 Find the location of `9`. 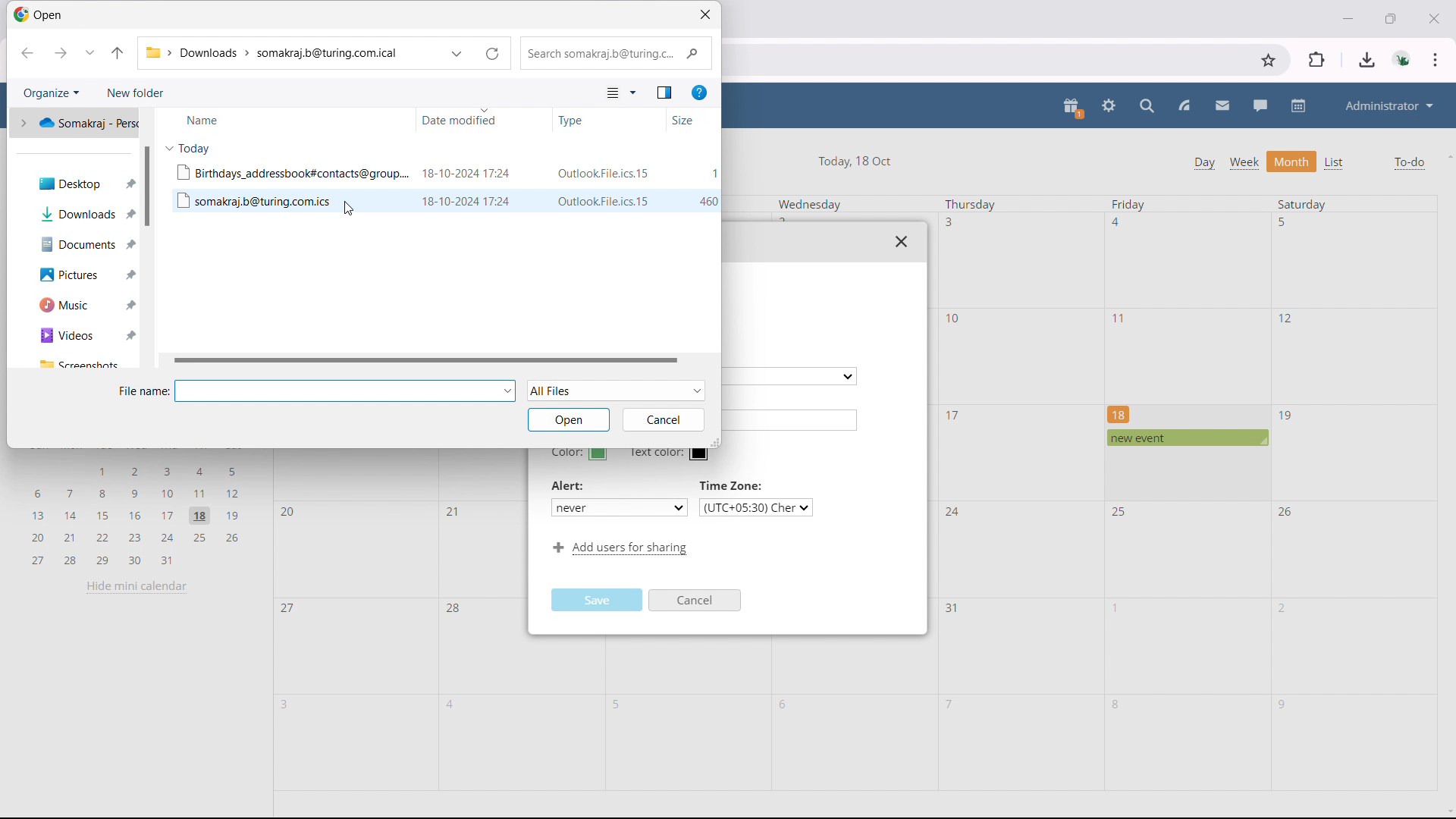

9 is located at coordinates (1282, 705).